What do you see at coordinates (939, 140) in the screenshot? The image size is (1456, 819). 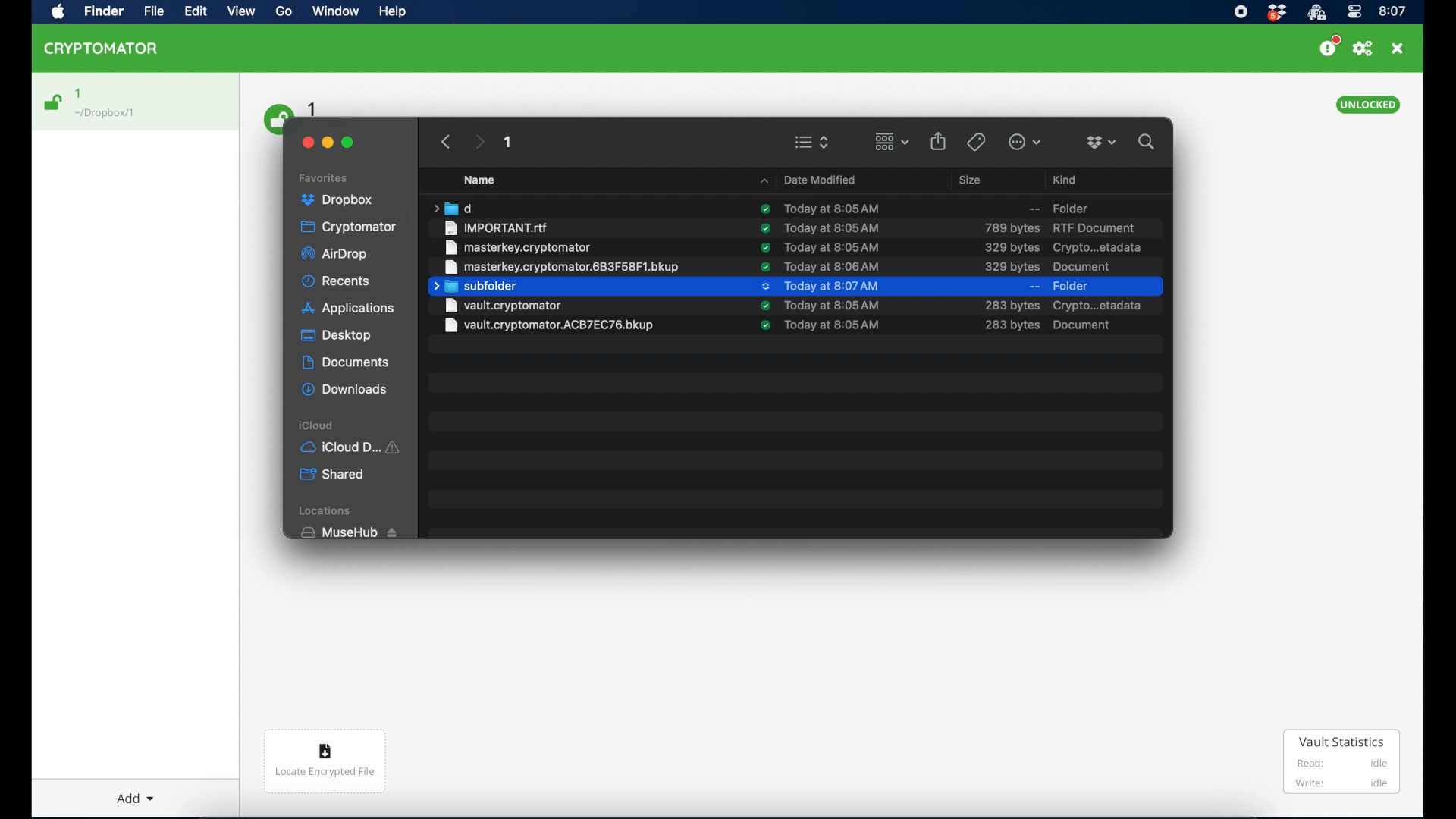 I see `share` at bounding box center [939, 140].